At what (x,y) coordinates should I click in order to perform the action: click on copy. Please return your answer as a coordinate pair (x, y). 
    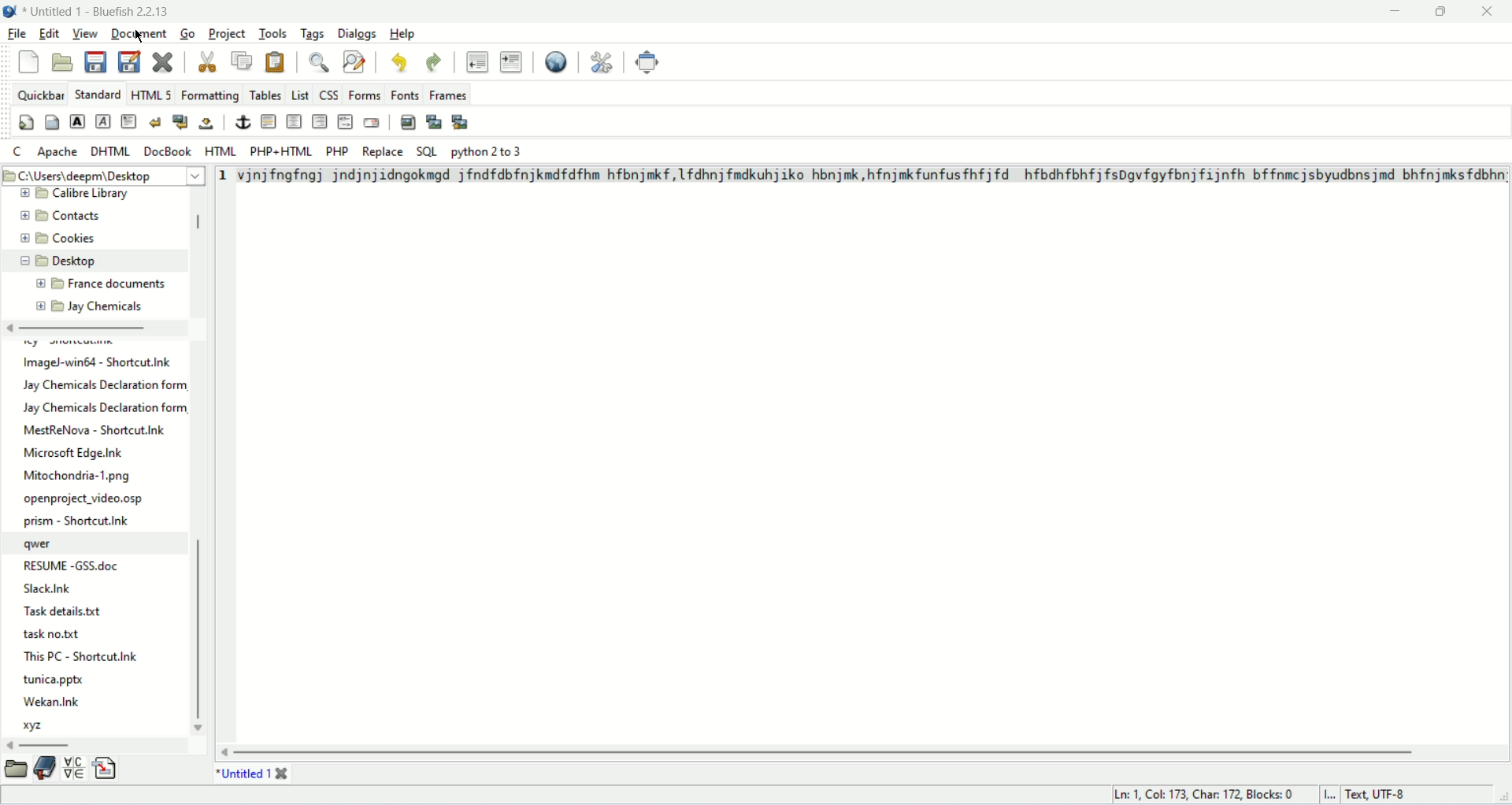
    Looking at the image, I should click on (242, 61).